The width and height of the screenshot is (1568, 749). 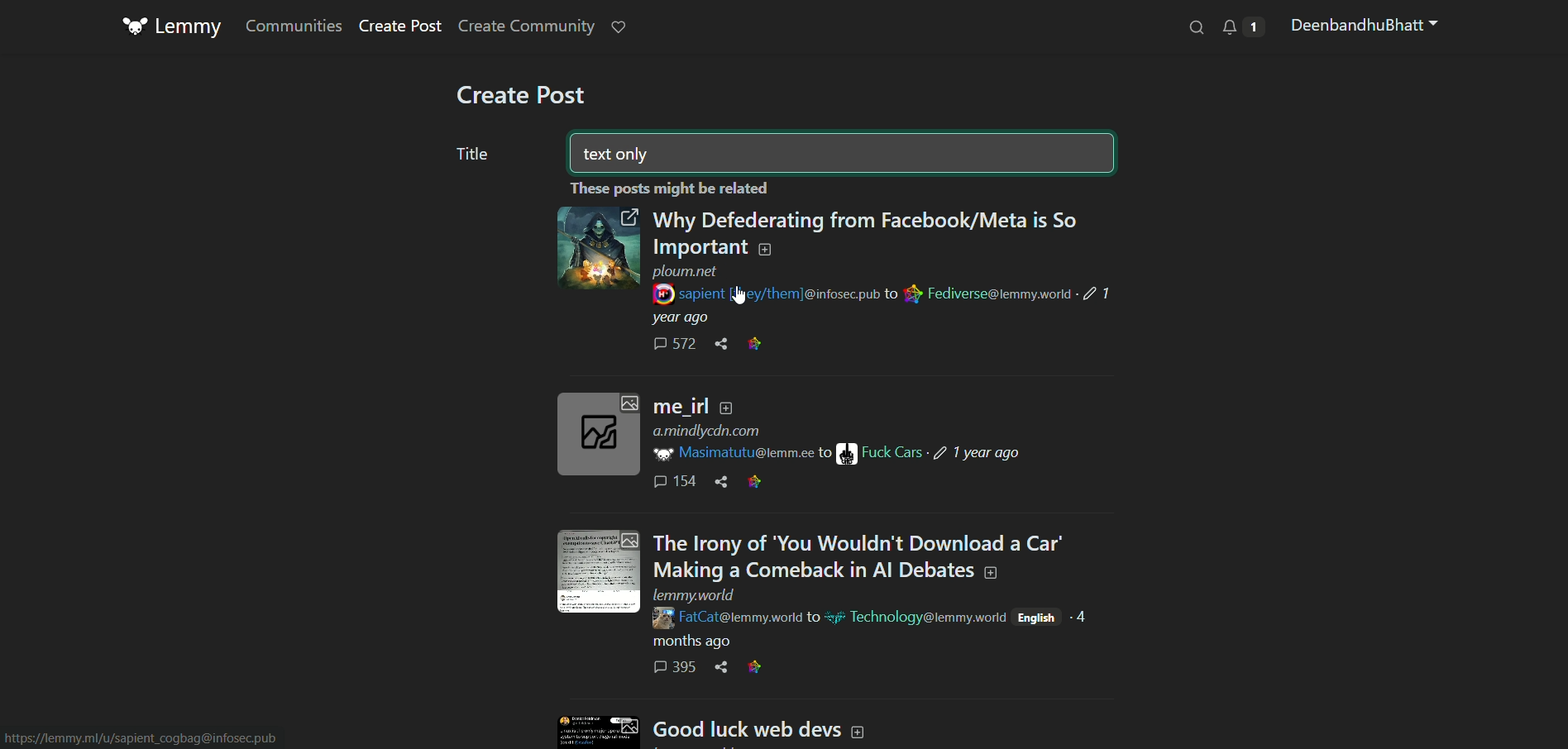 What do you see at coordinates (293, 26) in the screenshot?
I see `communities` at bounding box center [293, 26].